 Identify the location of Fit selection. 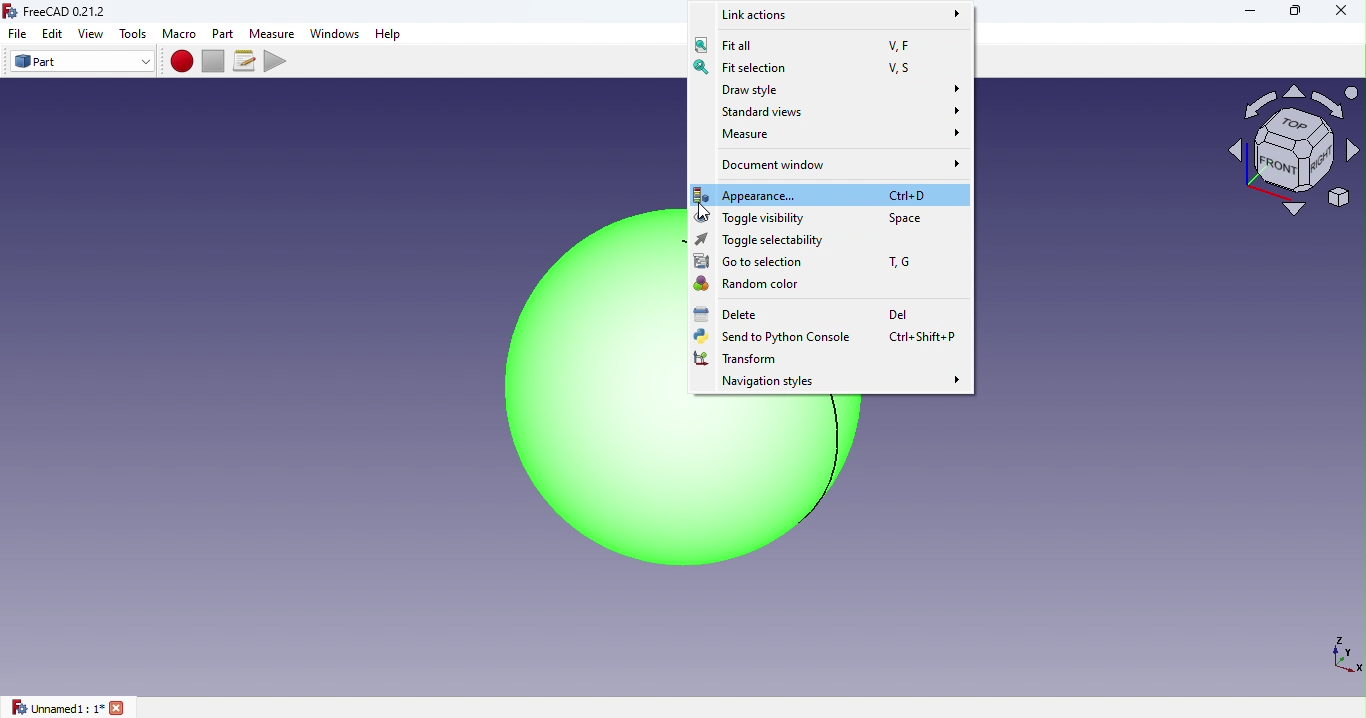
(818, 66).